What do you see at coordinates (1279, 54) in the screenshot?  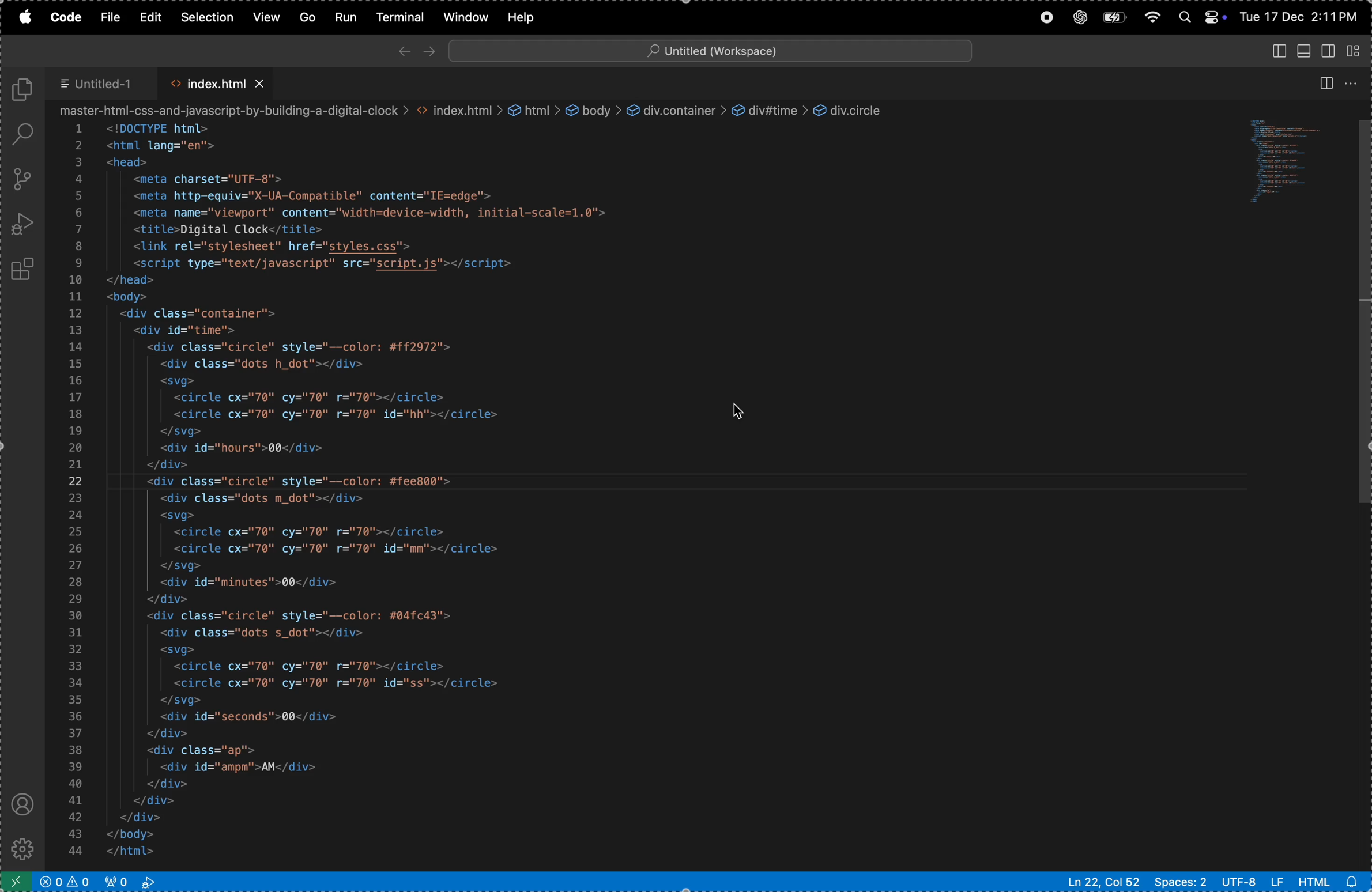 I see `toggle panel` at bounding box center [1279, 54].